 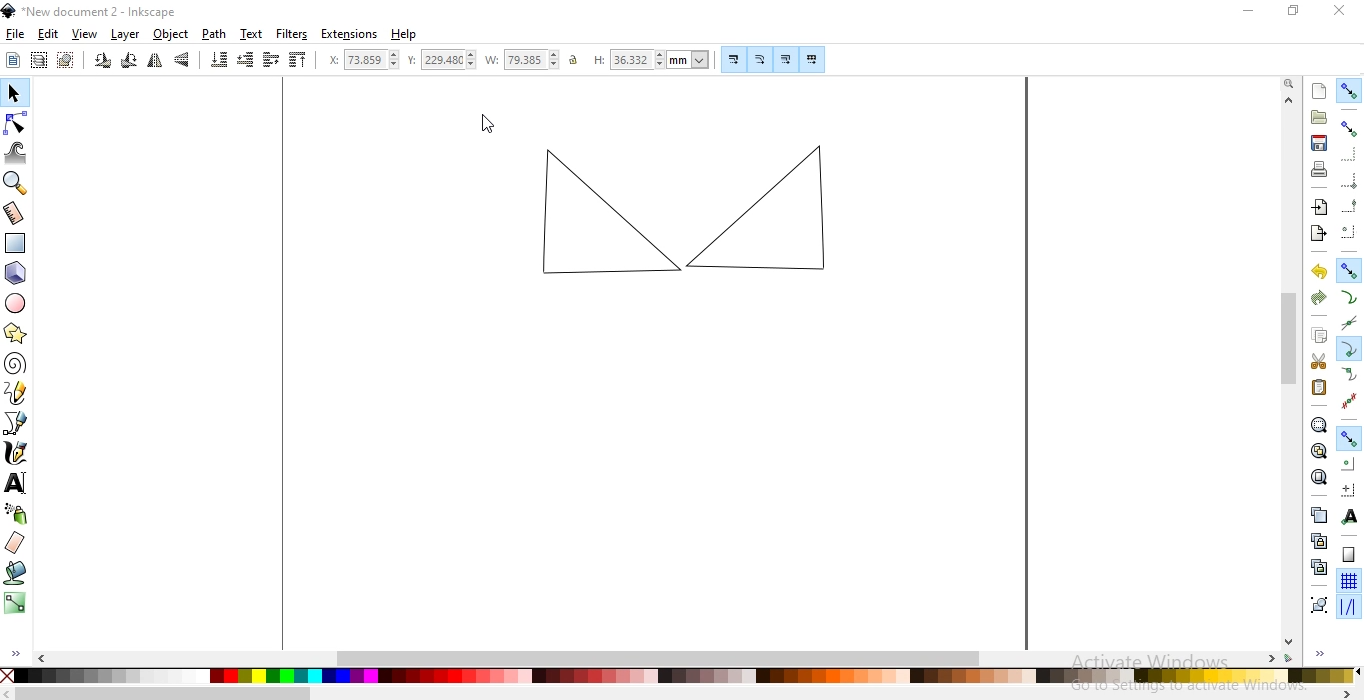 I want to click on snap to paths, so click(x=1348, y=297).